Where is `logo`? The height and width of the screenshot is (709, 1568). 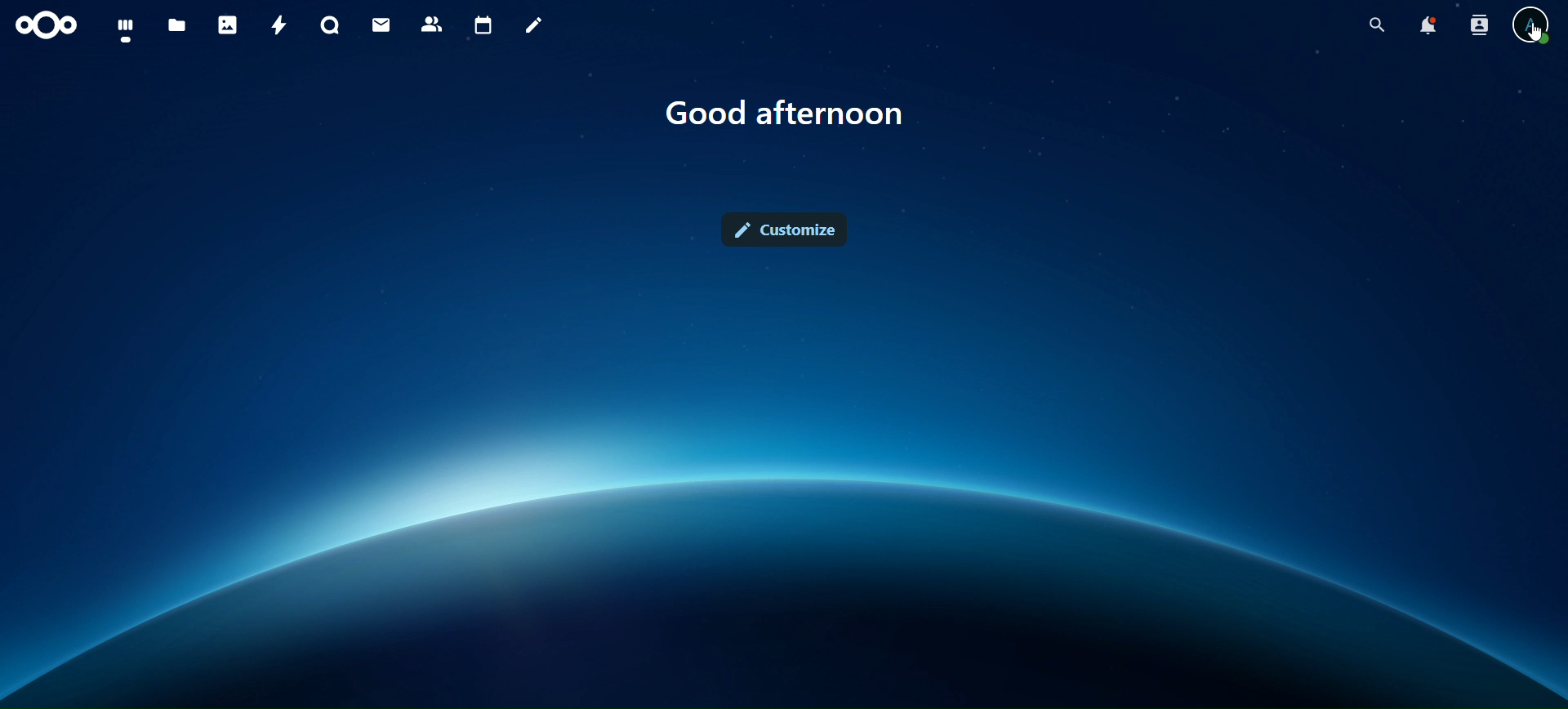
logo is located at coordinates (47, 26).